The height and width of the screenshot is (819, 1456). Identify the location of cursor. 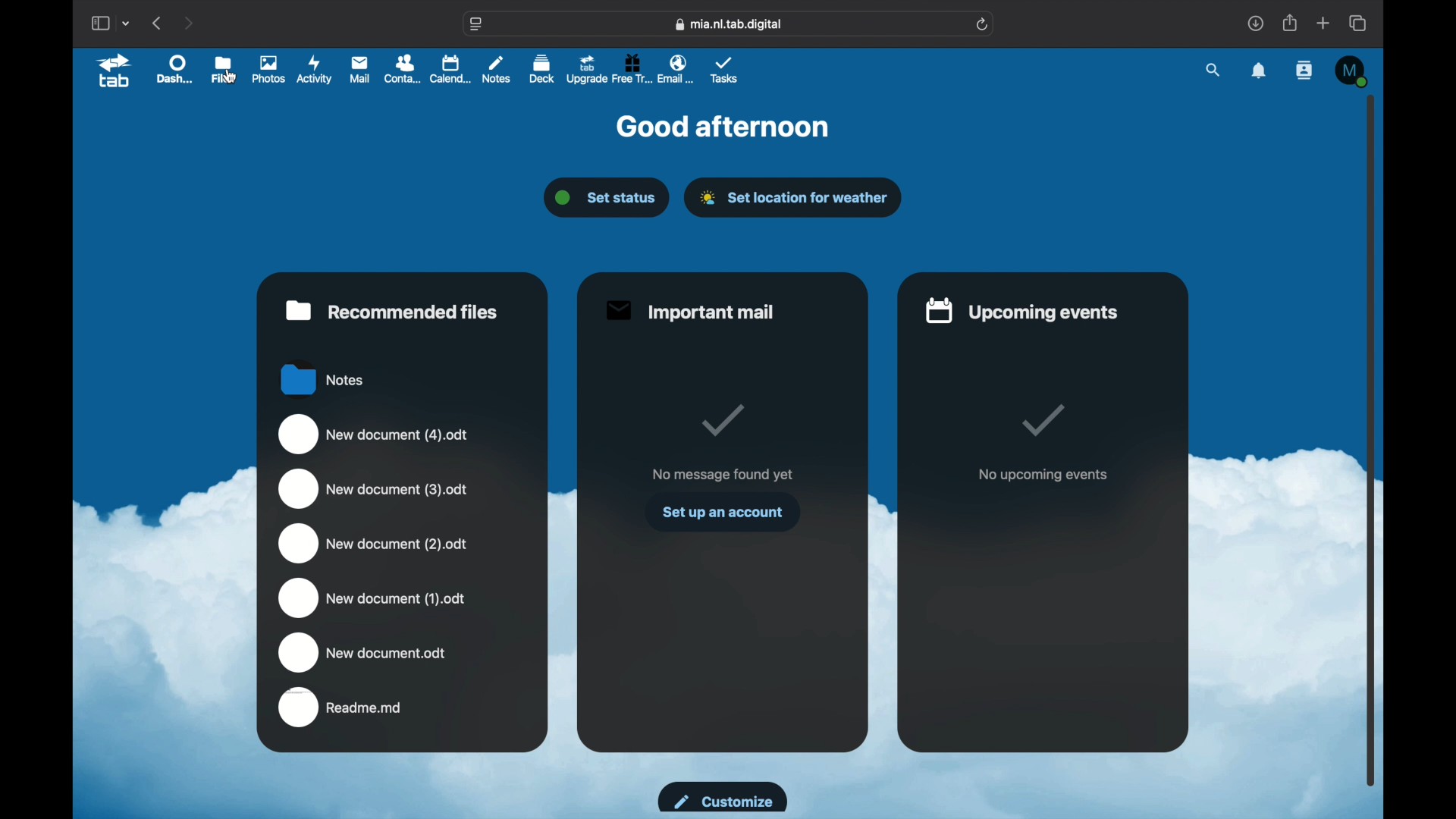
(232, 76).